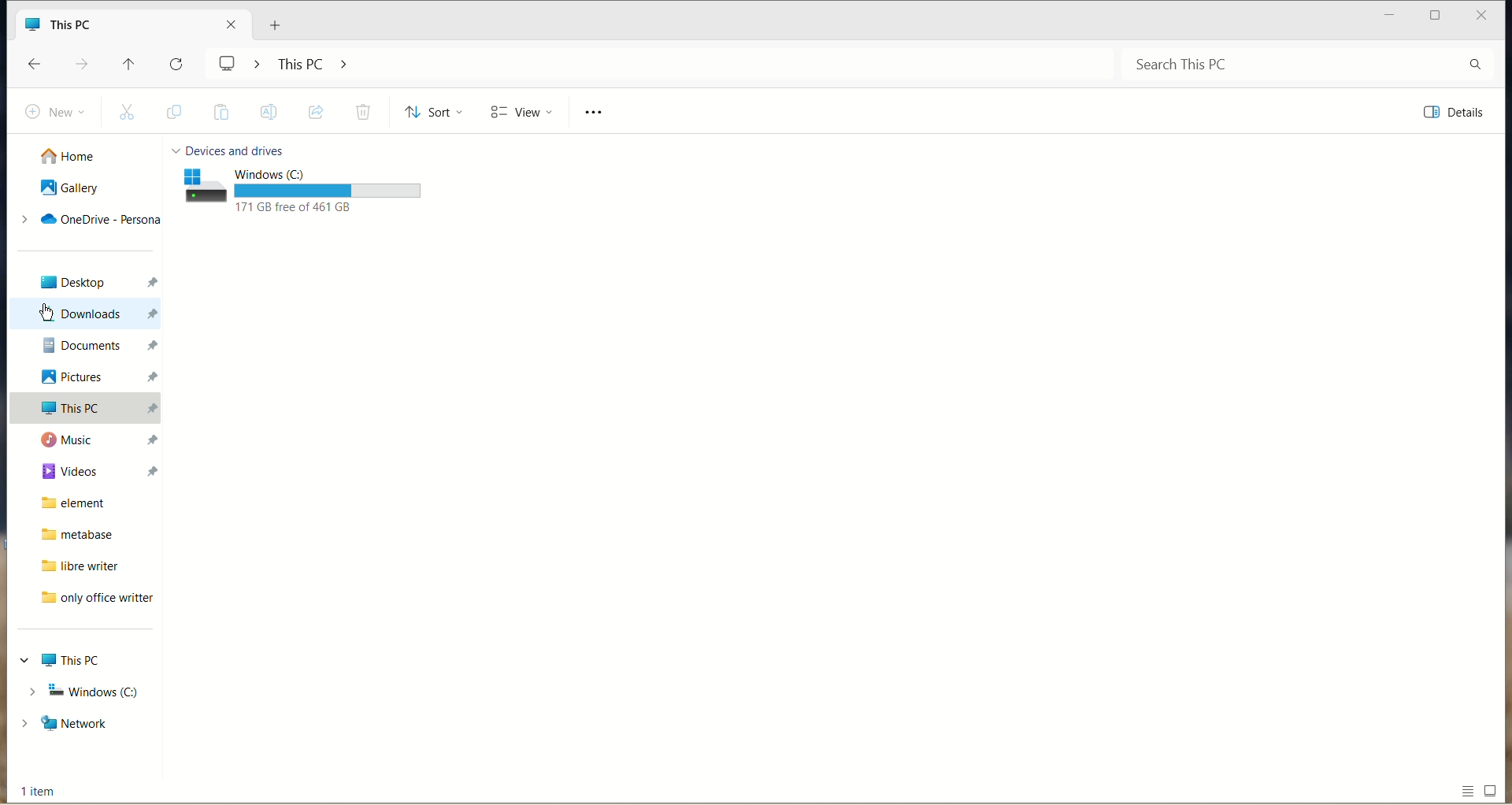  What do you see at coordinates (332, 191) in the screenshot?
I see `storage` at bounding box center [332, 191].